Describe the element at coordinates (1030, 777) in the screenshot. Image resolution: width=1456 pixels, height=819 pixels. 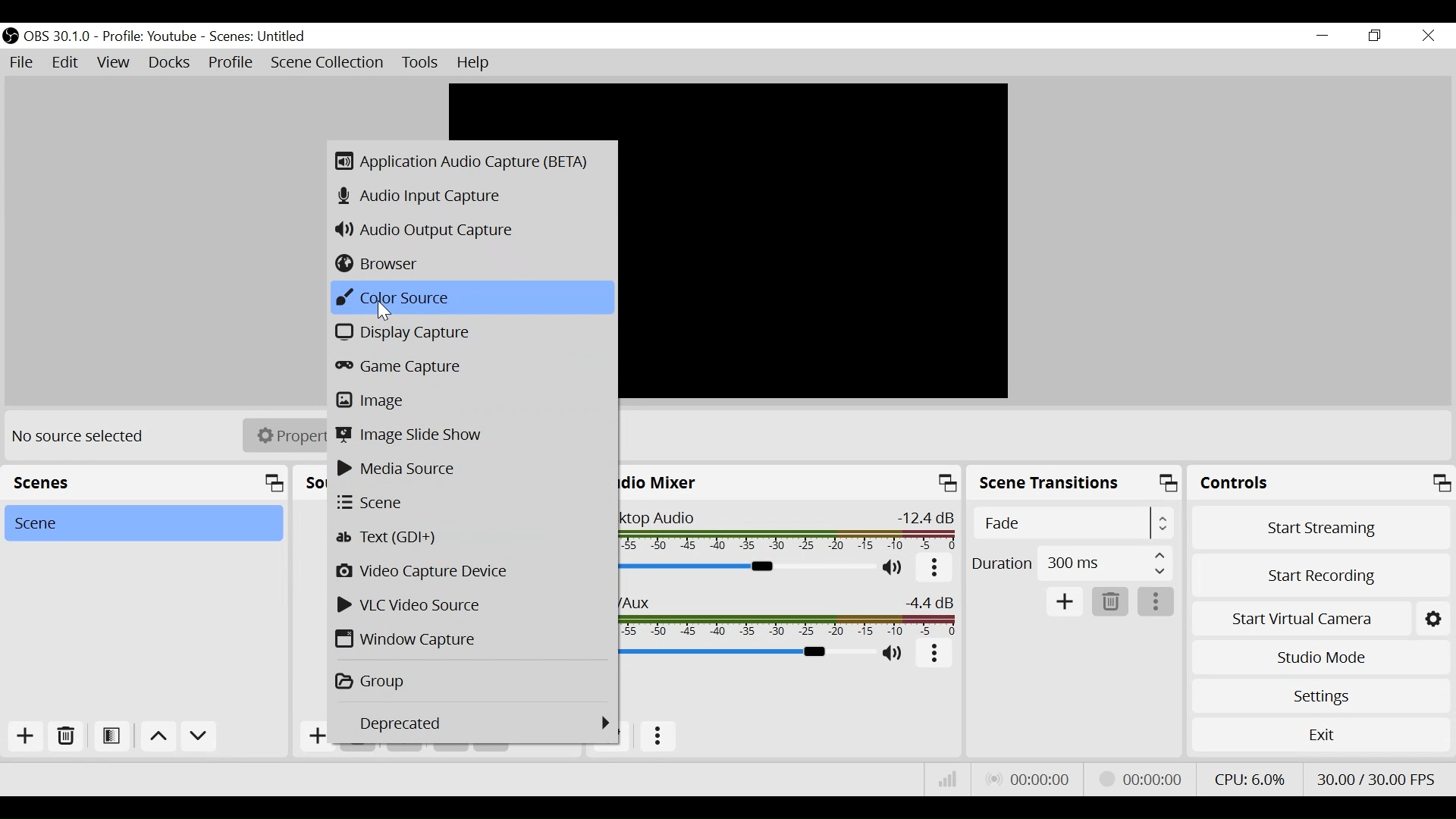
I see `Live Status` at that location.